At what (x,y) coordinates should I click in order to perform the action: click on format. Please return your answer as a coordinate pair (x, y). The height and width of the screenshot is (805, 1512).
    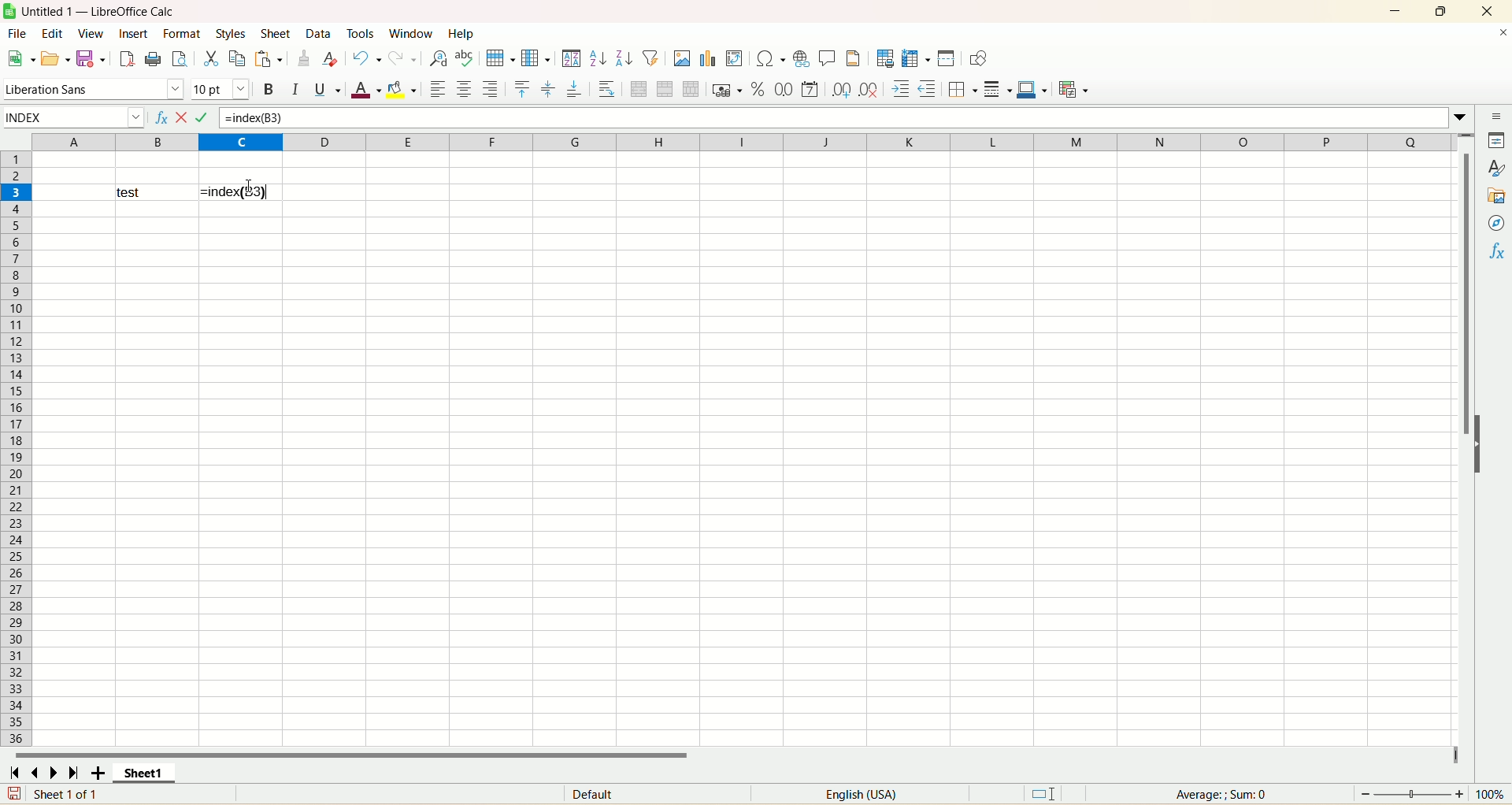
    Looking at the image, I should click on (181, 33).